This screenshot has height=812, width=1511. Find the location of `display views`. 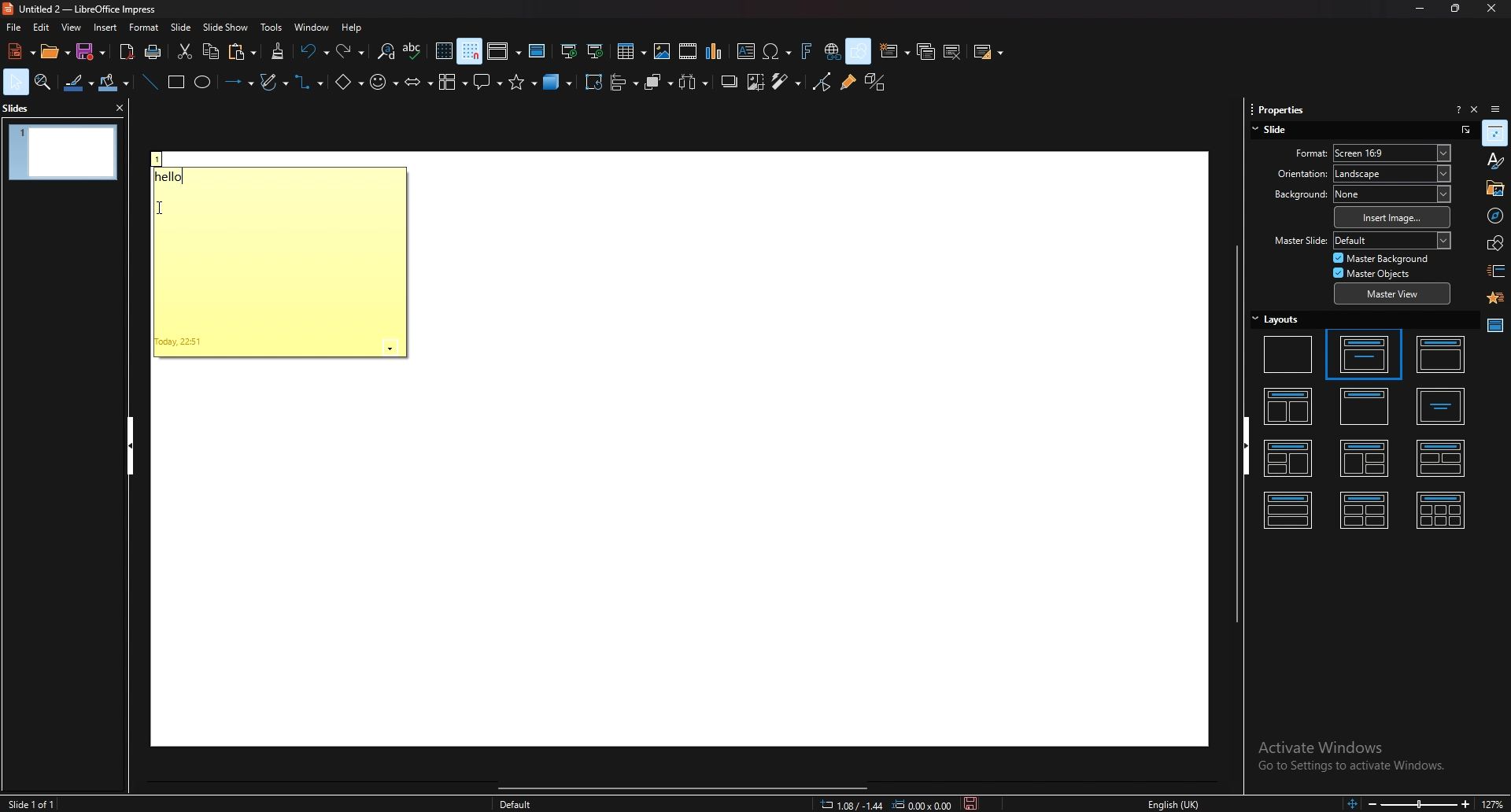

display views is located at coordinates (504, 53).